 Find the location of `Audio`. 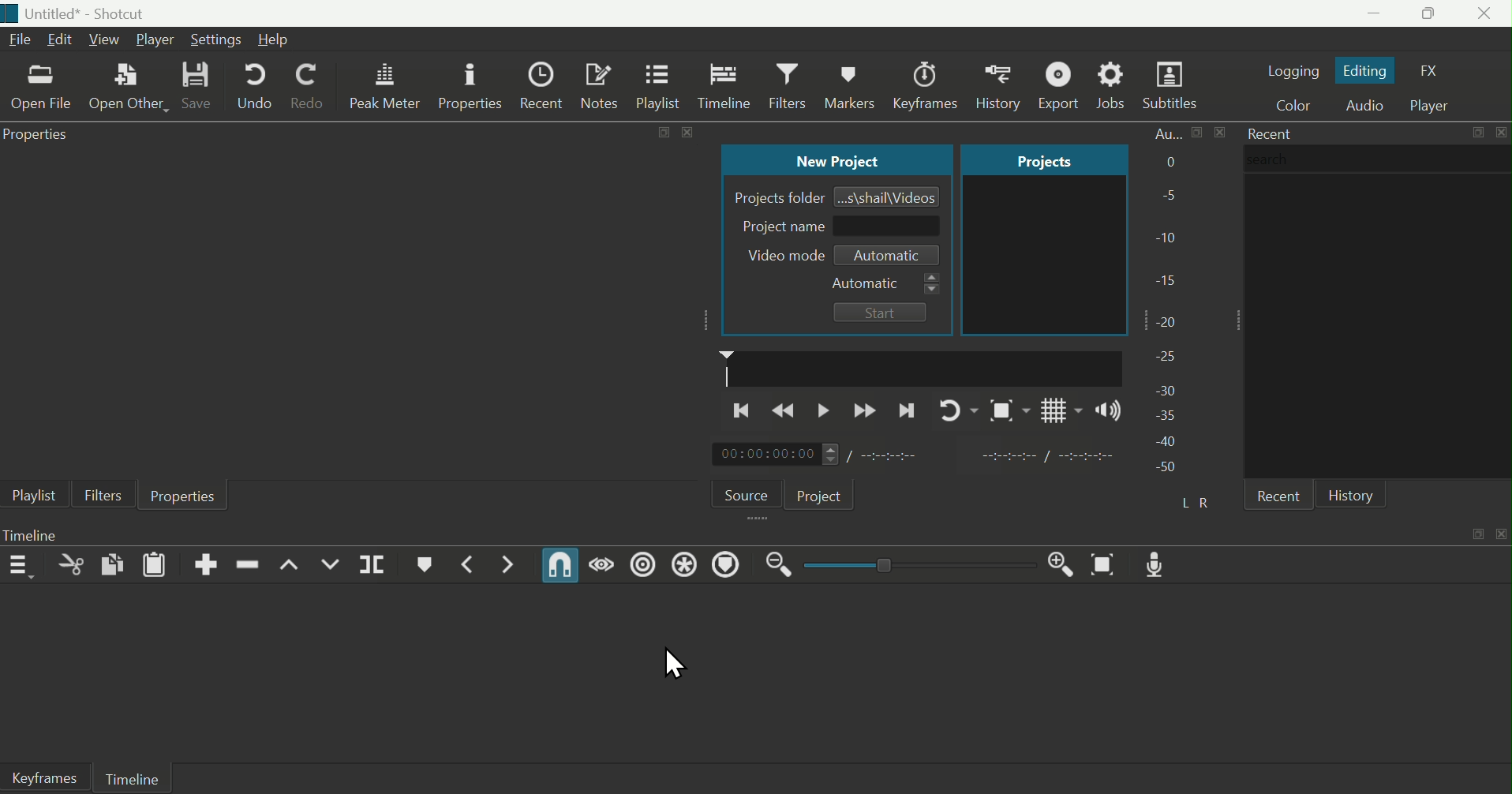

Audio is located at coordinates (1364, 107).